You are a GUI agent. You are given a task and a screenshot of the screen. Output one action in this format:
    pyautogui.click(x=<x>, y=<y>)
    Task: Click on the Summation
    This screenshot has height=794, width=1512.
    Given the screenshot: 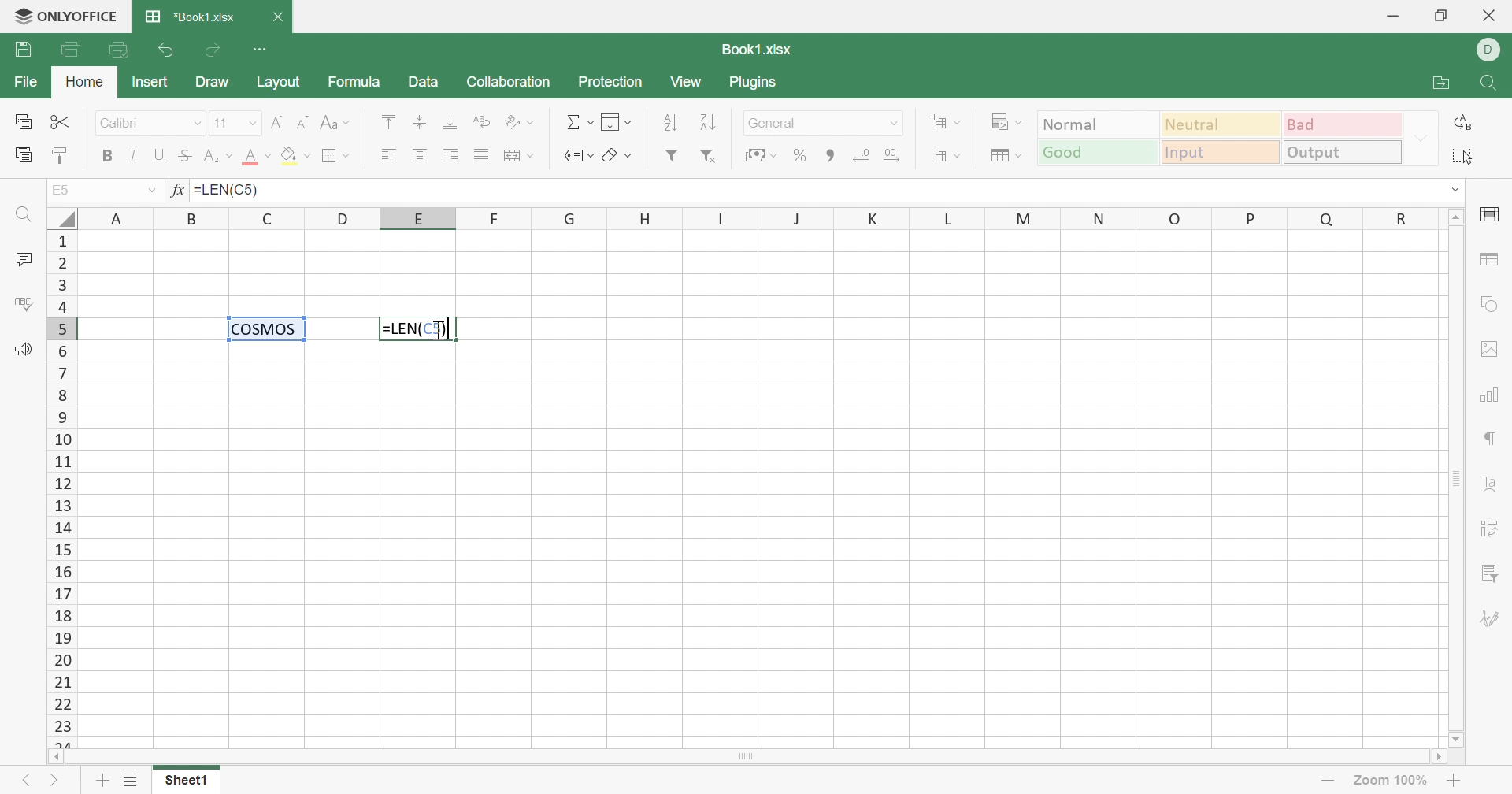 What is the action you would take?
    pyautogui.click(x=576, y=124)
    